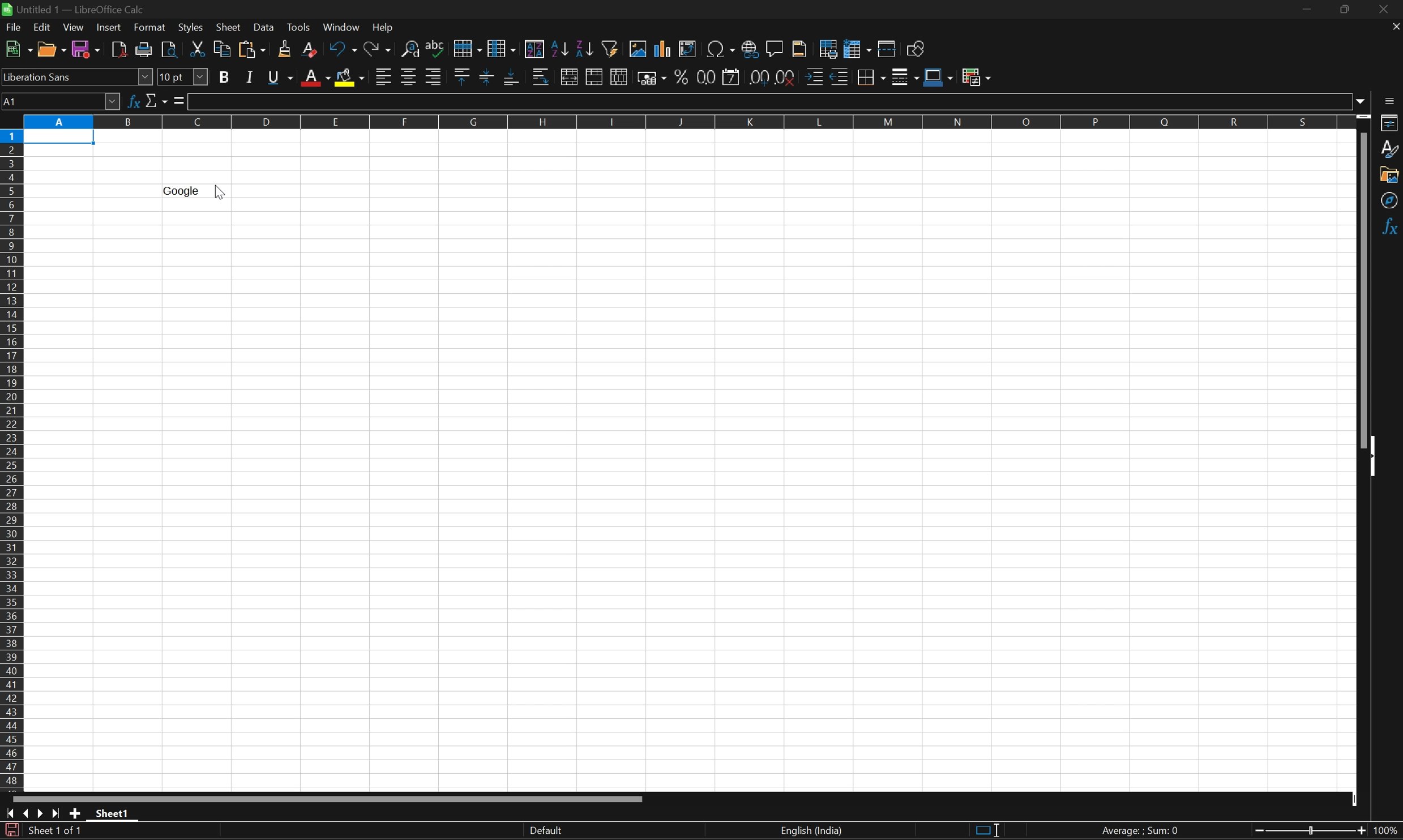  I want to click on Increase indent, so click(815, 76).